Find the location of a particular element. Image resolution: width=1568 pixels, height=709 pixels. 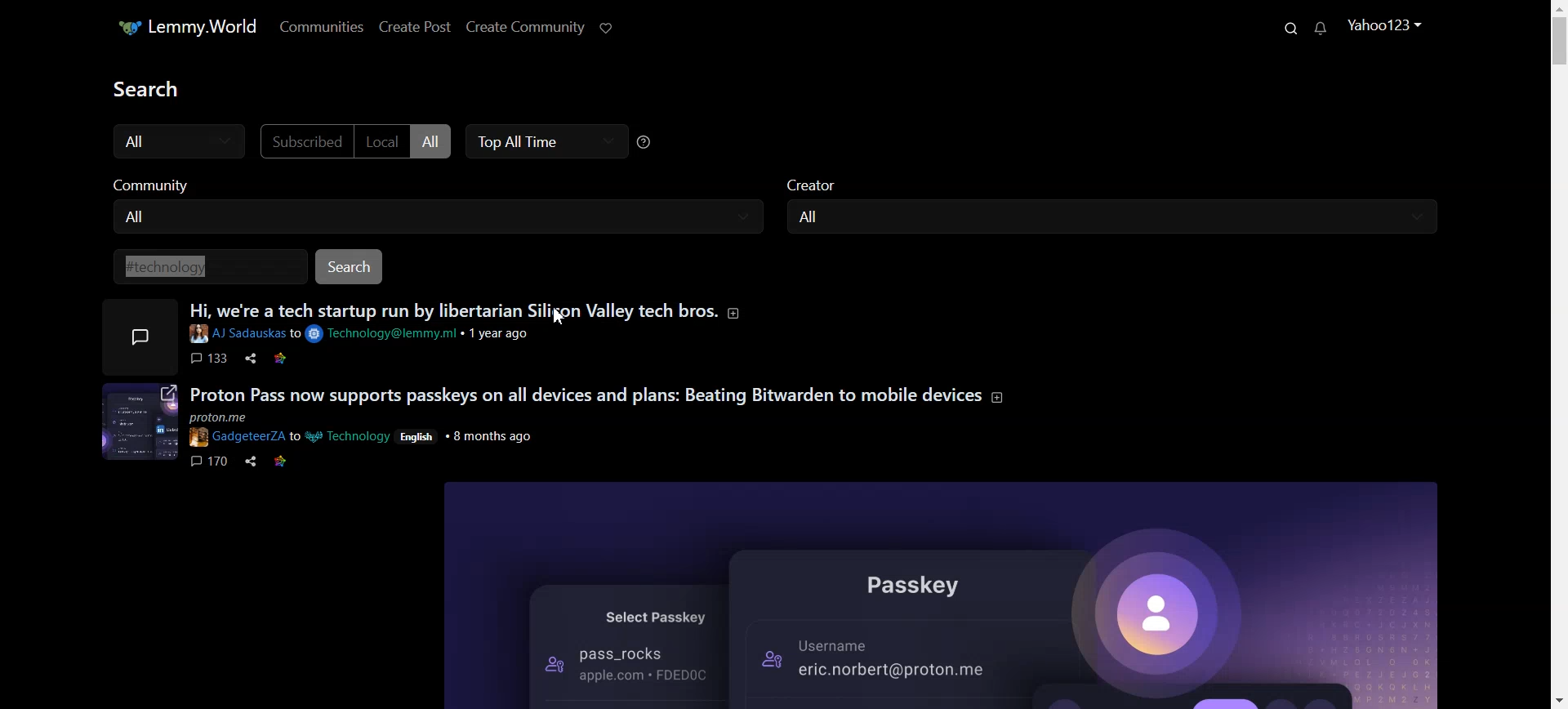

thumbnail is located at coordinates (136, 337).